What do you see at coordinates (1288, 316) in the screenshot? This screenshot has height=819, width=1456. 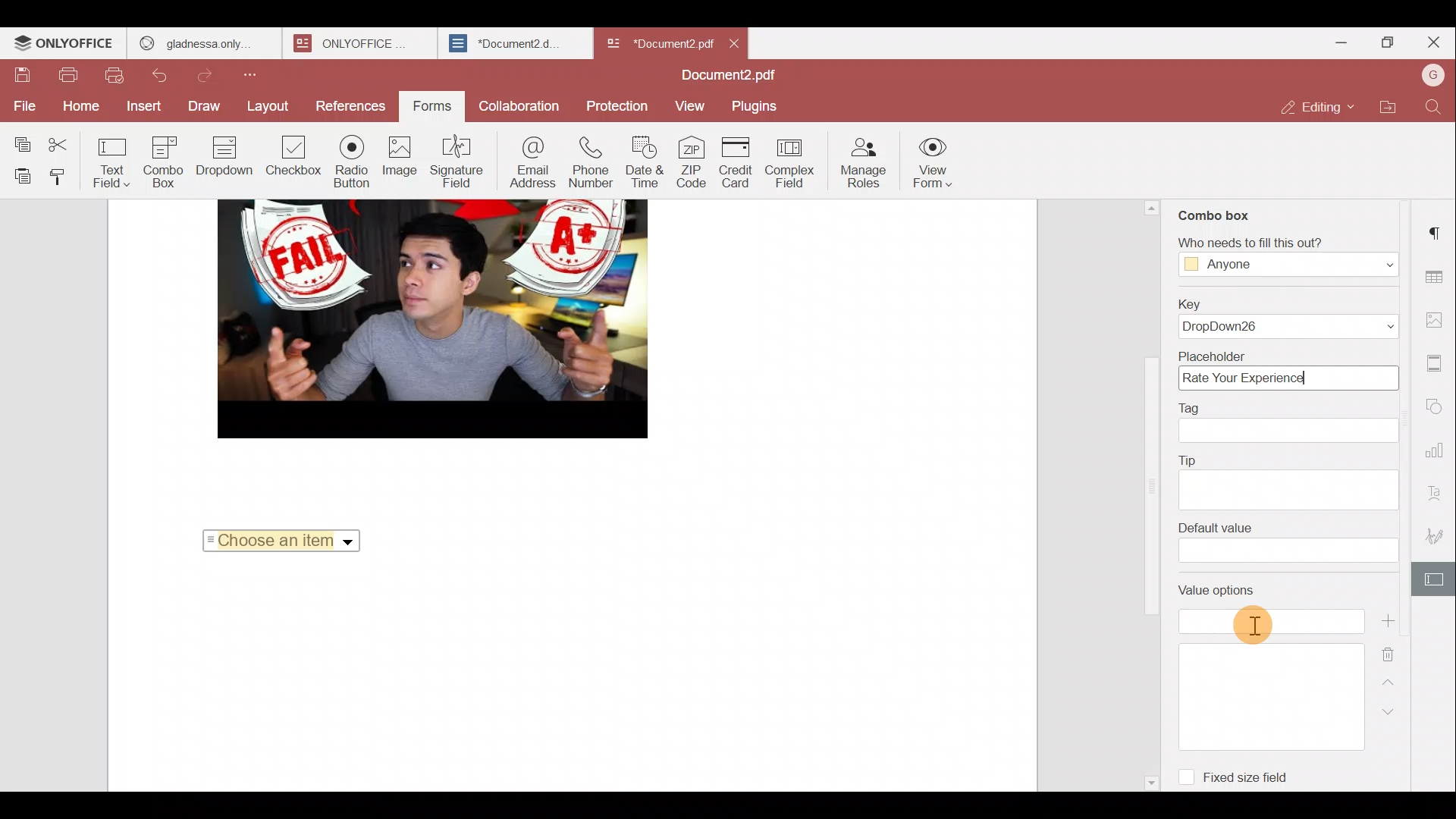 I see `Key` at bounding box center [1288, 316].